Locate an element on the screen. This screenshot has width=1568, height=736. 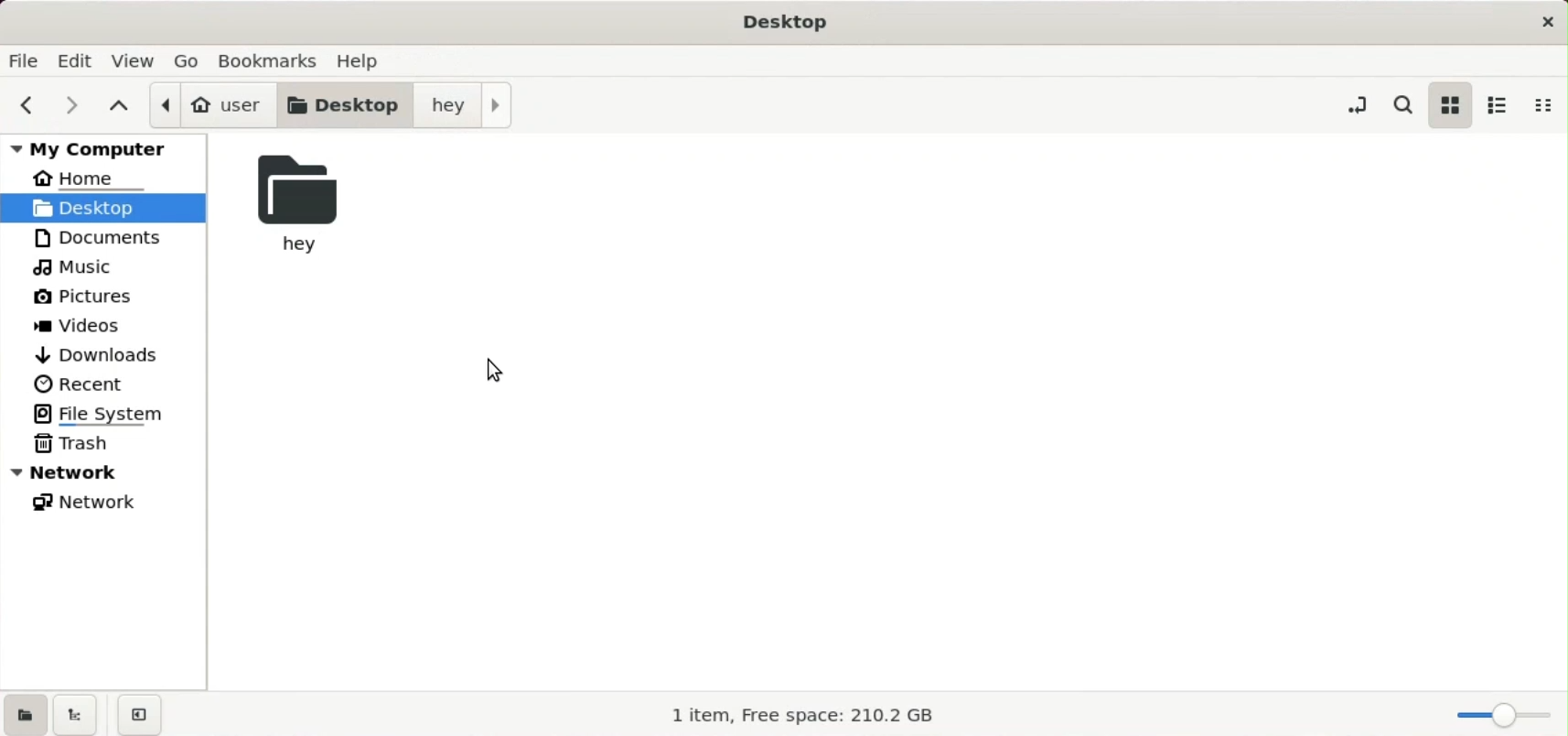
my computer is located at coordinates (105, 147).